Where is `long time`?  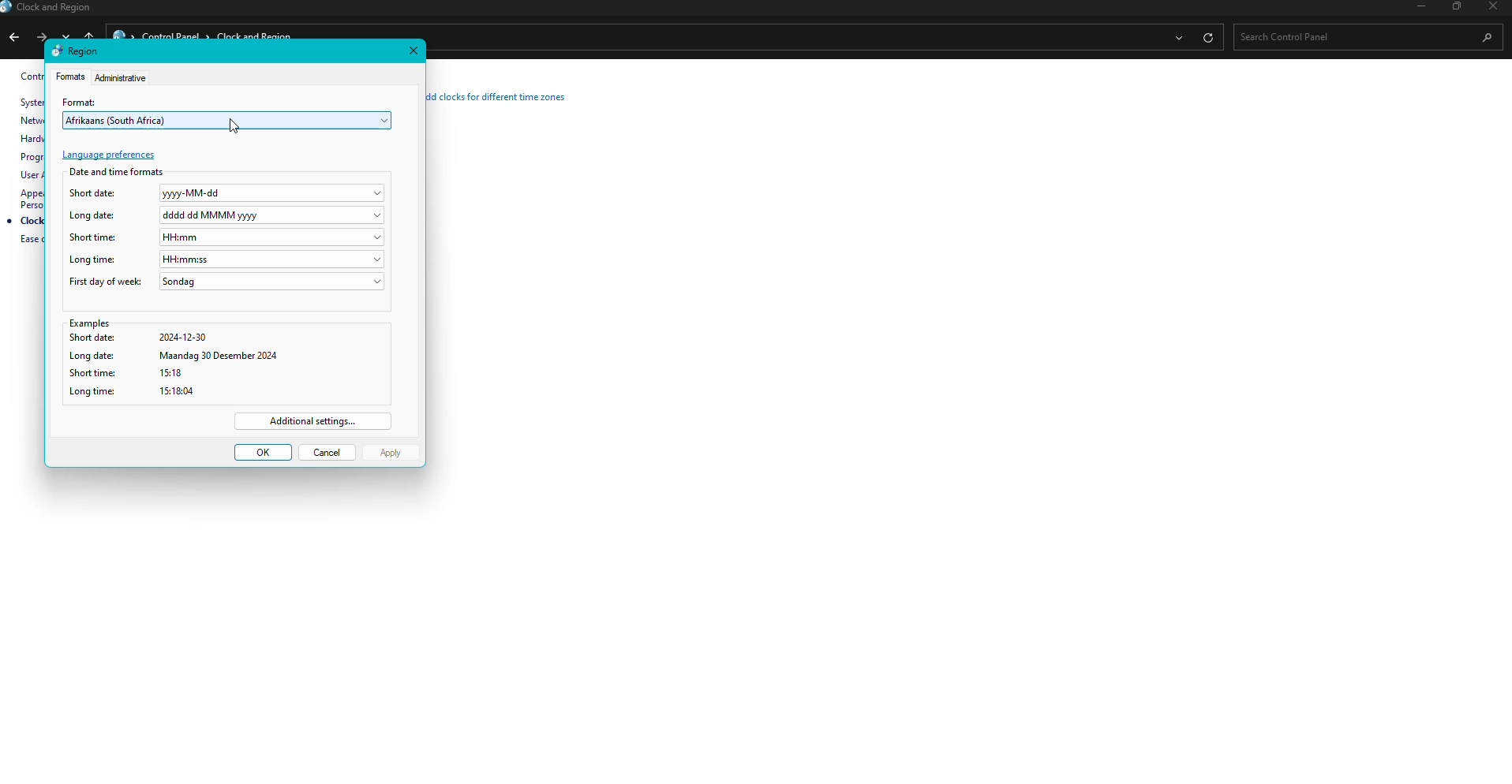
long time is located at coordinates (219, 391).